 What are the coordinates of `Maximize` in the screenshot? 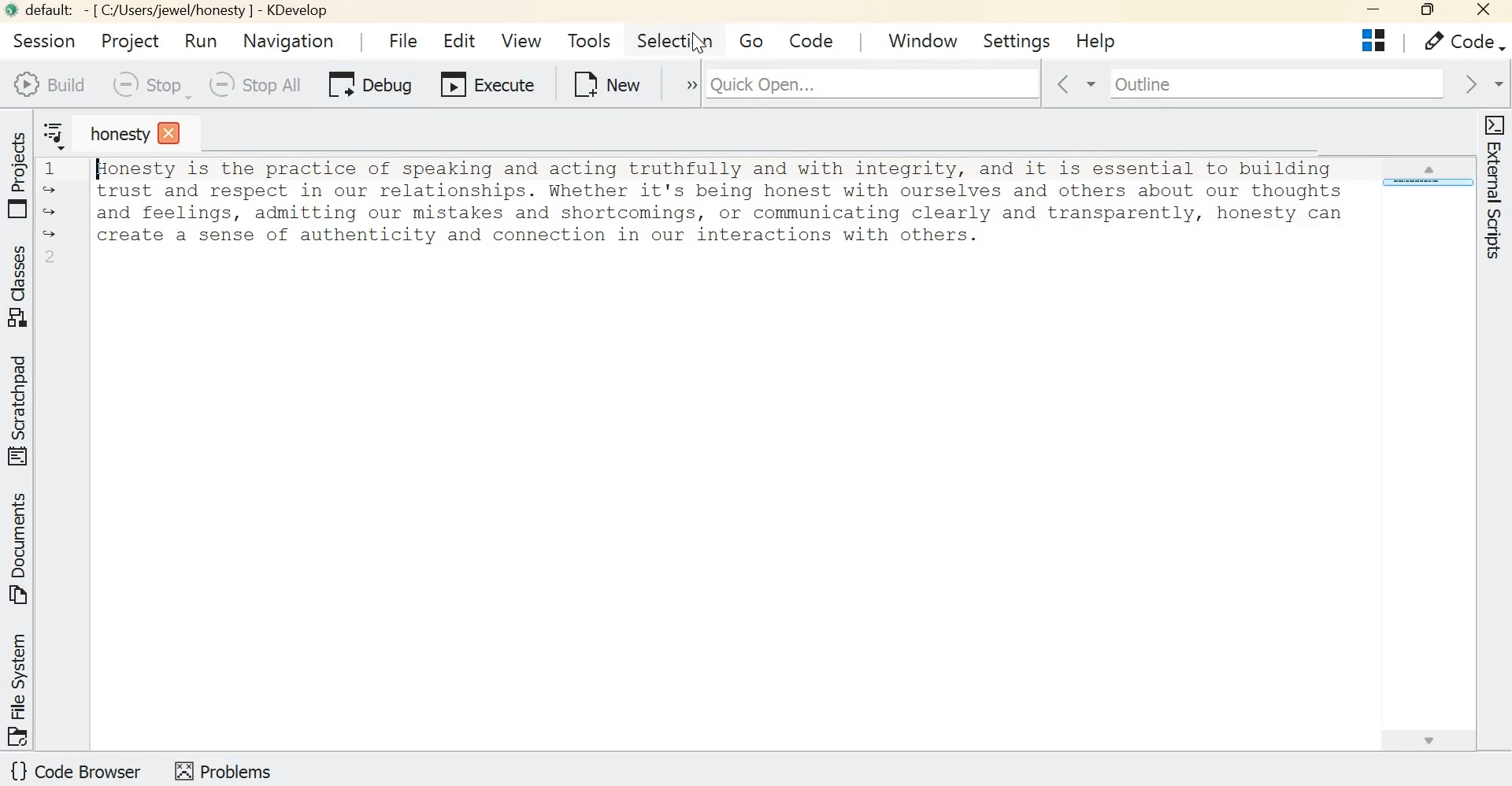 It's located at (1425, 11).